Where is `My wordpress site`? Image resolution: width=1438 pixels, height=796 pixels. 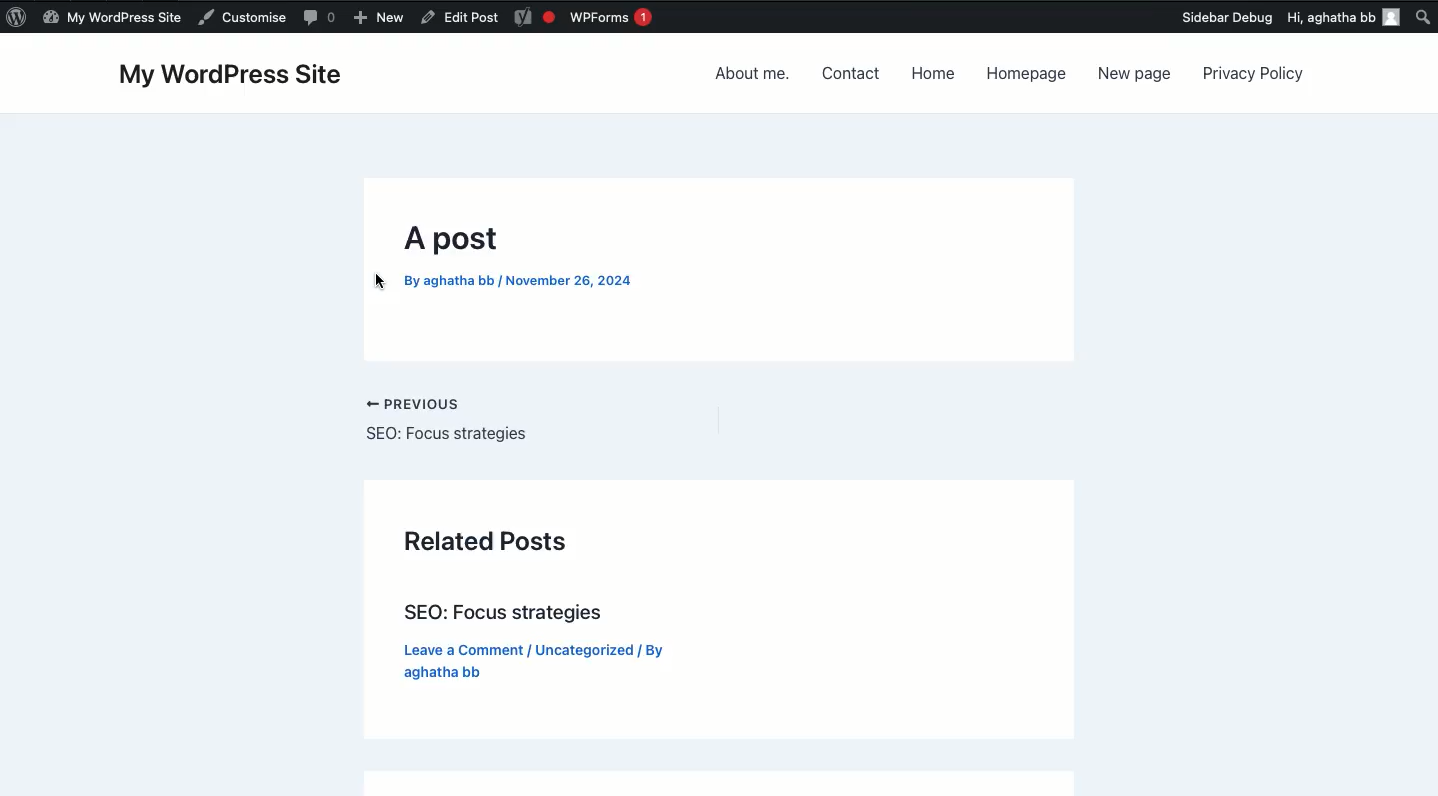 My wordpress site is located at coordinates (235, 76).